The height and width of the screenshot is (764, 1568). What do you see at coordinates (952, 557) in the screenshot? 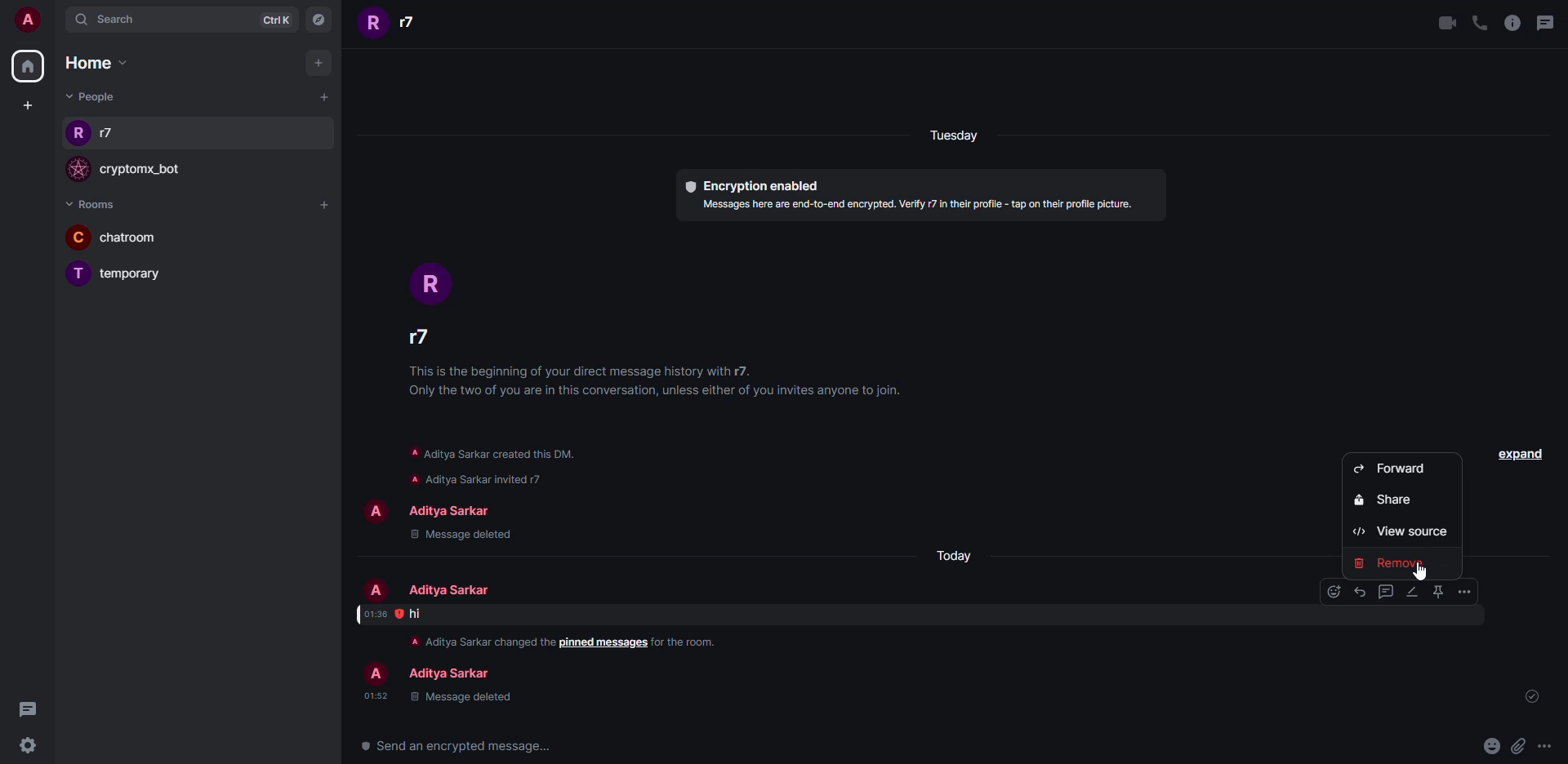
I see `day` at bounding box center [952, 557].